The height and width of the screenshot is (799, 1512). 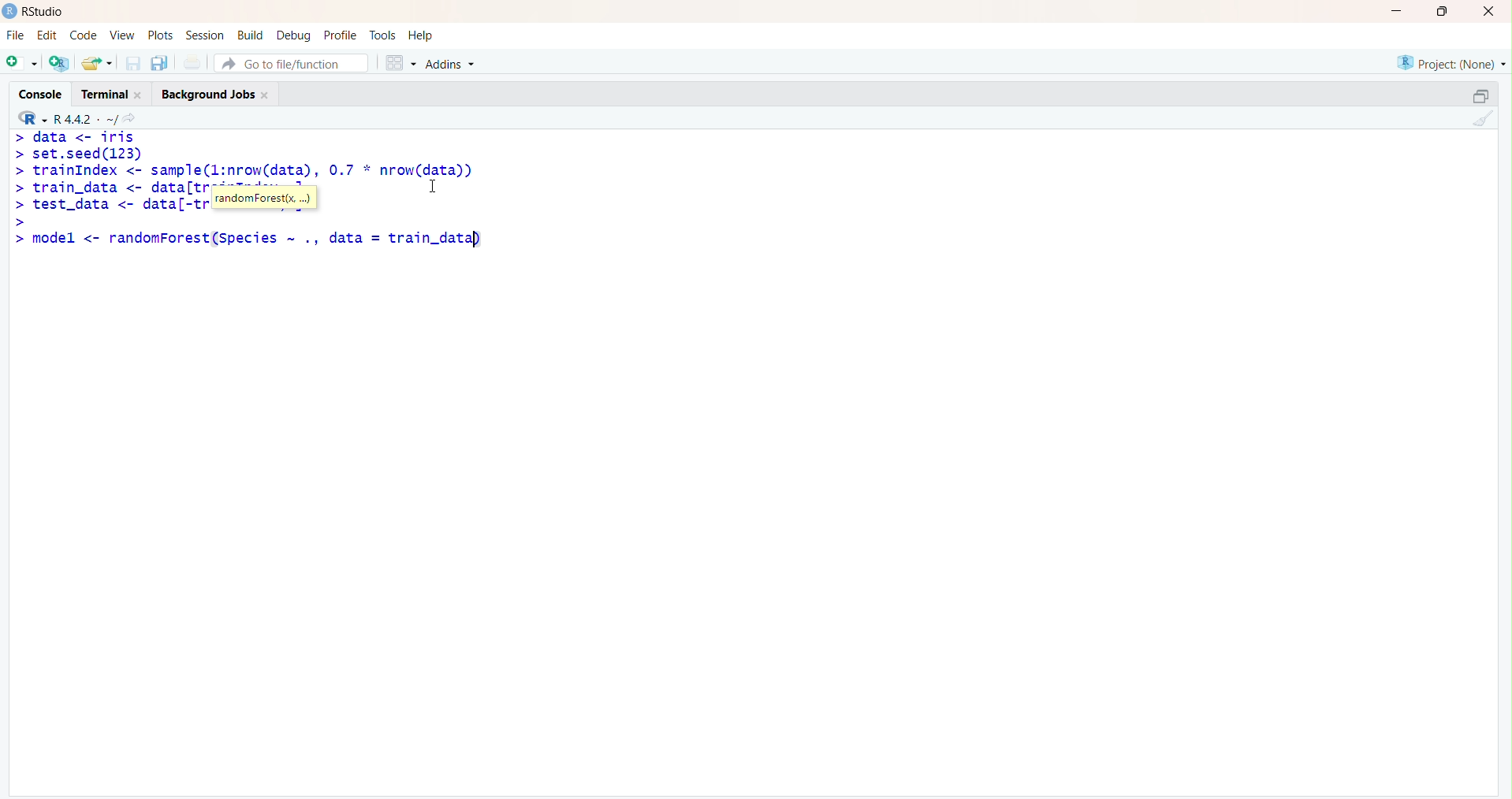 I want to click on Maximize, so click(x=1441, y=12).